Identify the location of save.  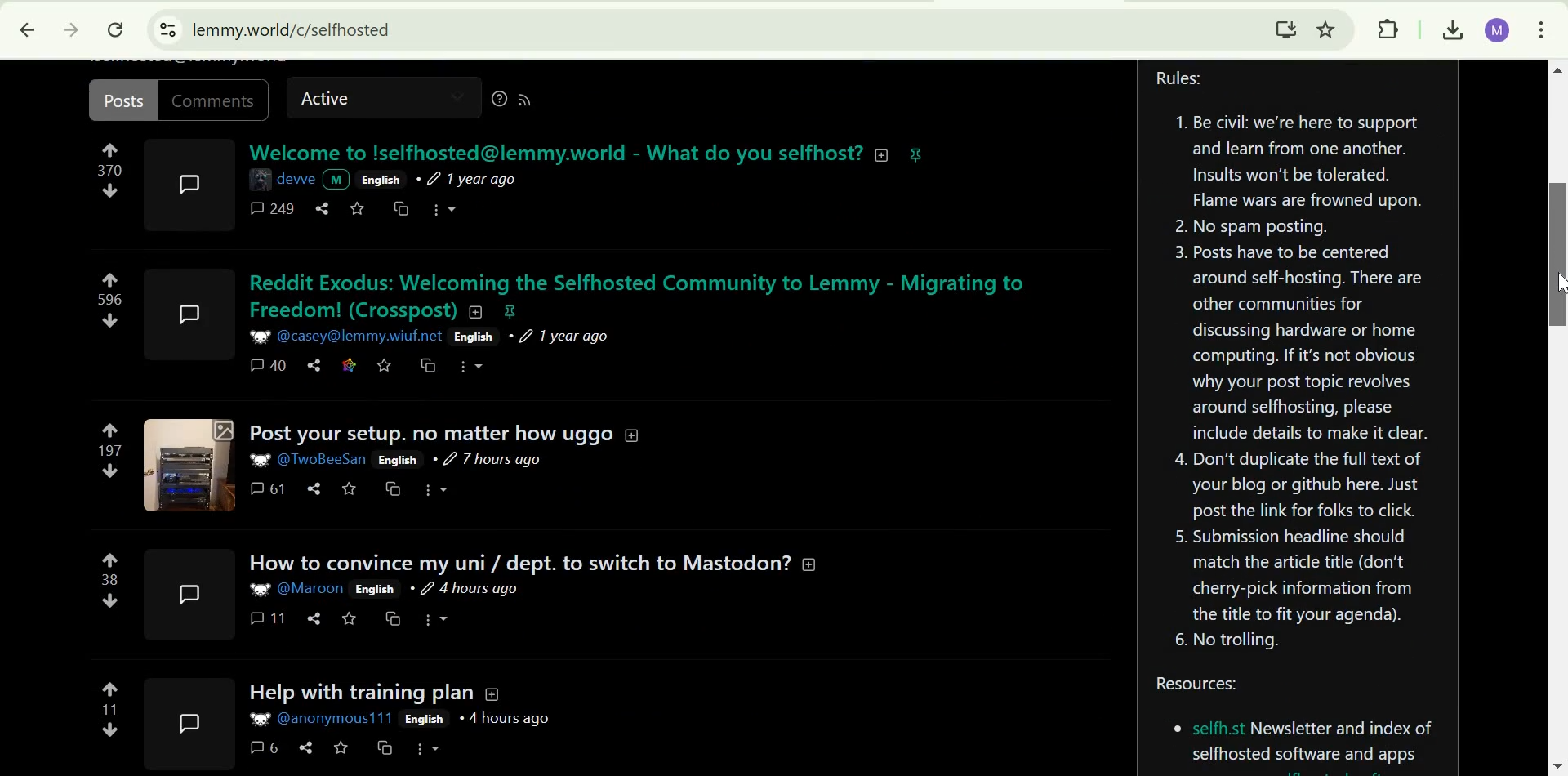
(386, 365).